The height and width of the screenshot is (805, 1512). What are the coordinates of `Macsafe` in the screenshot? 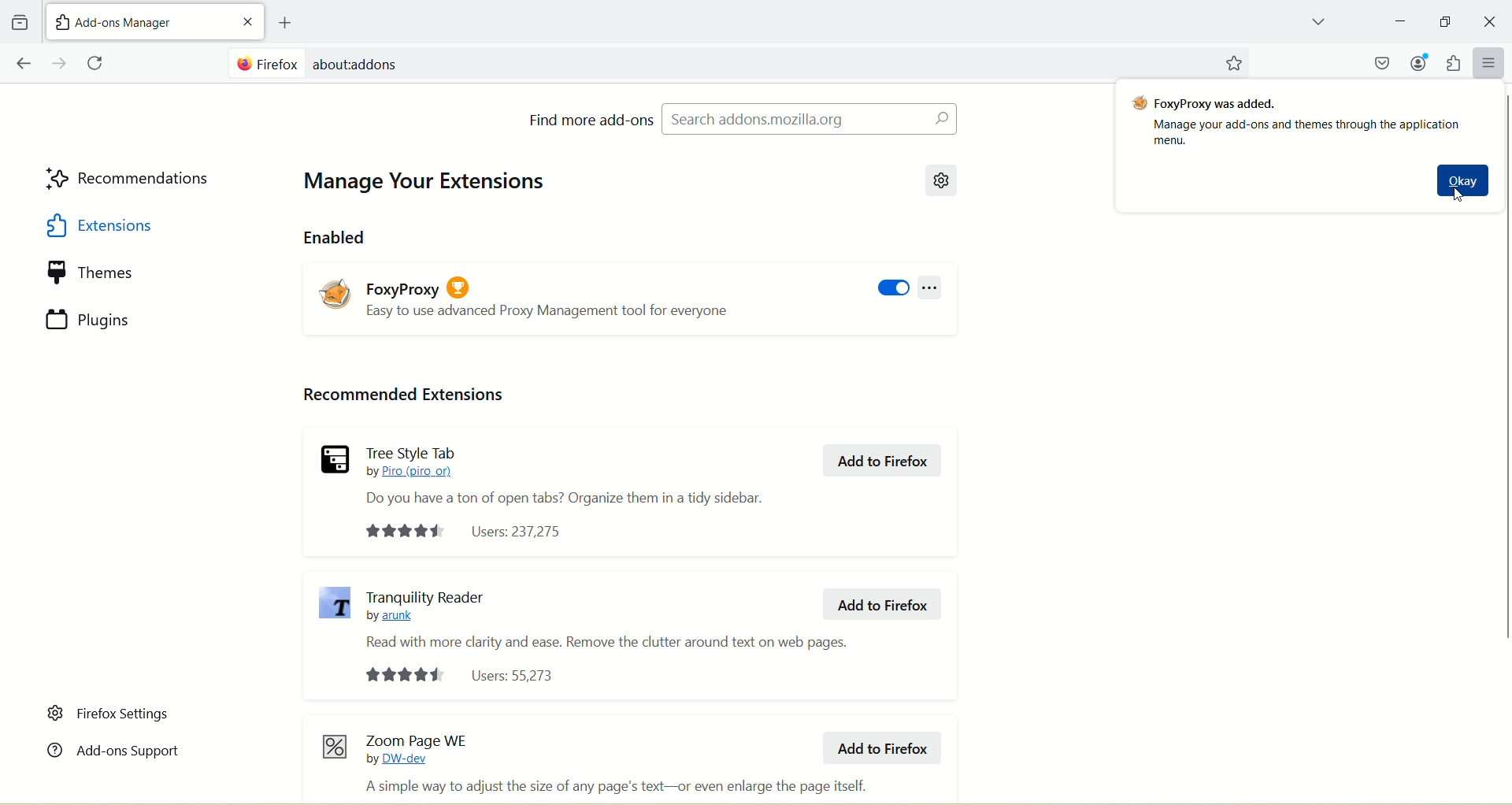 It's located at (1384, 62).